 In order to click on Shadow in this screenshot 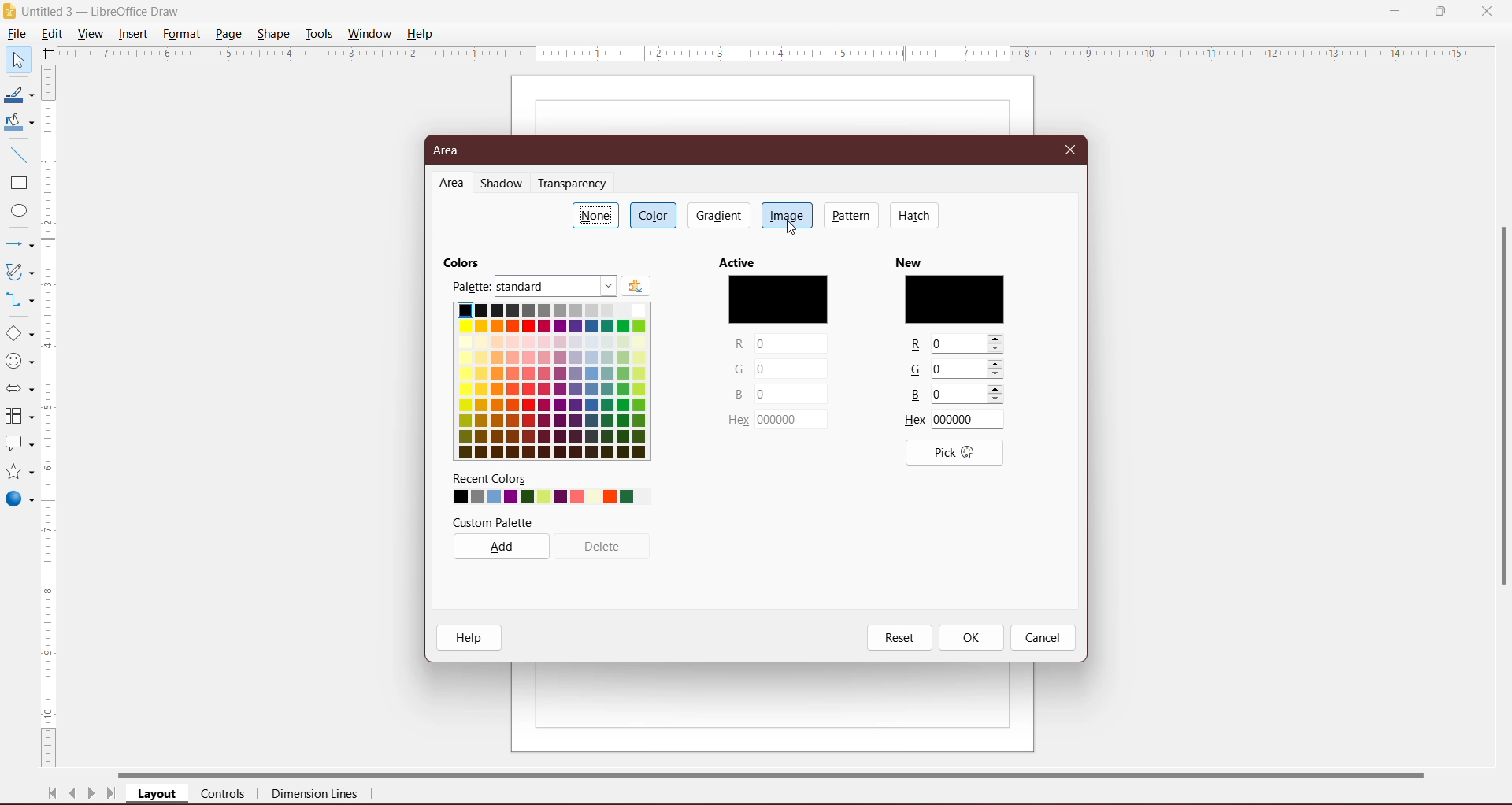, I will do `click(504, 184)`.